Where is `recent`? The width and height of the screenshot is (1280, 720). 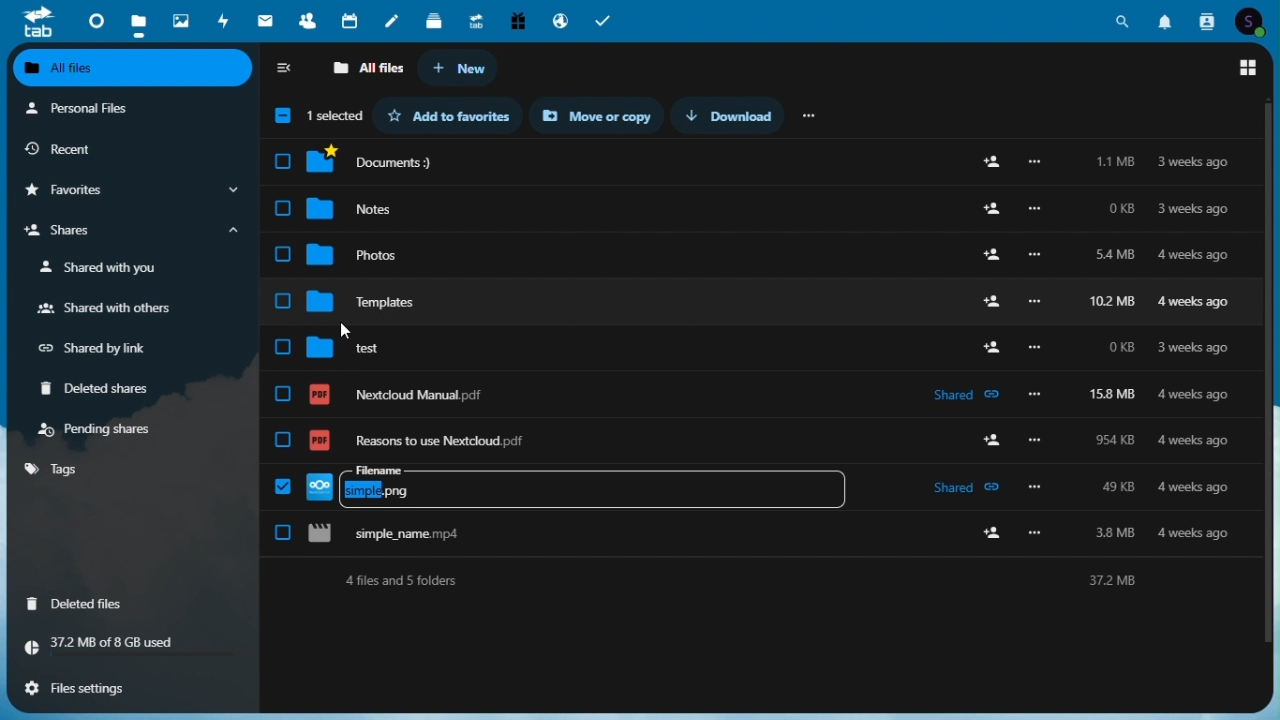 recent is located at coordinates (129, 149).